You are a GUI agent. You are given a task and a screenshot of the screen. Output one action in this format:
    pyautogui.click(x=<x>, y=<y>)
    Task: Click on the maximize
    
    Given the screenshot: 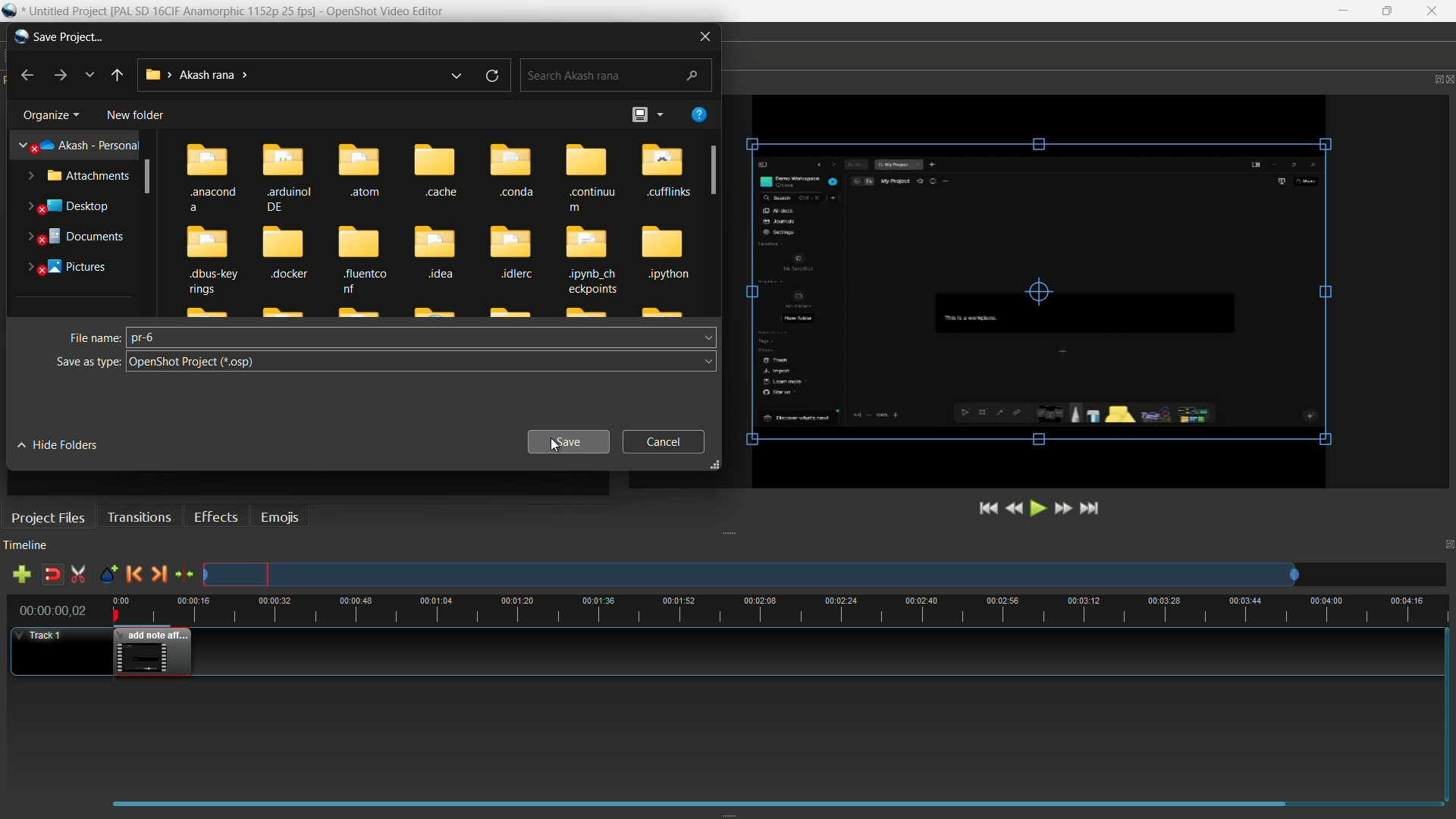 What is the action you would take?
    pyautogui.click(x=1390, y=11)
    